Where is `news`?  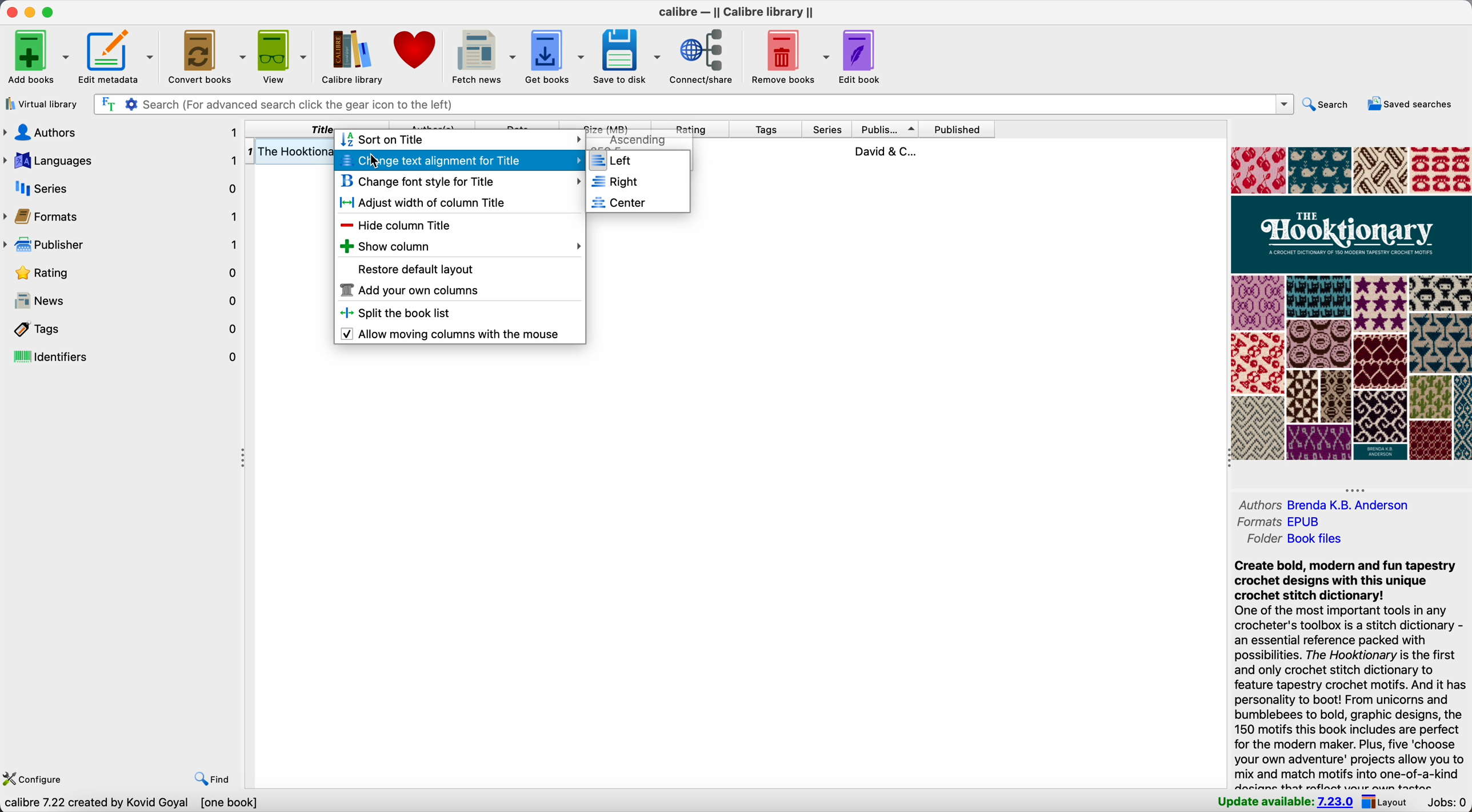
news is located at coordinates (122, 302).